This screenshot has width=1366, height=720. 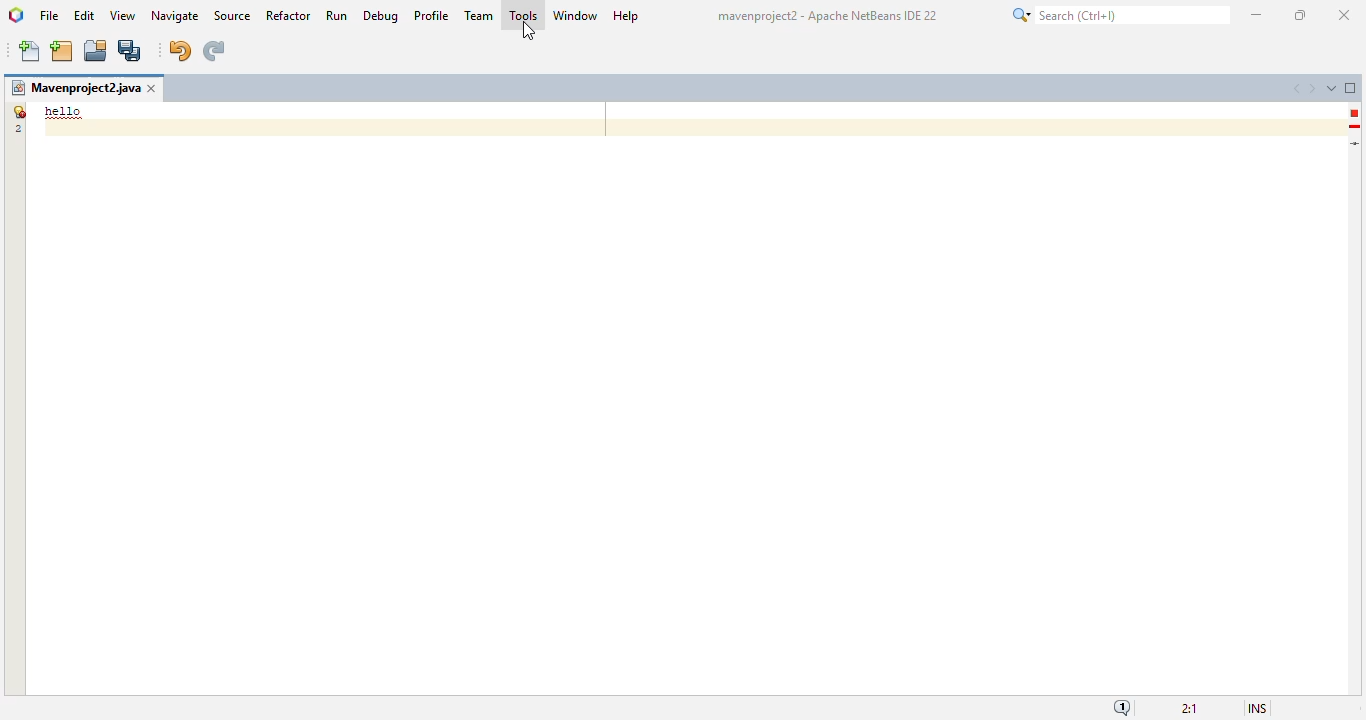 I want to click on debug, so click(x=382, y=16).